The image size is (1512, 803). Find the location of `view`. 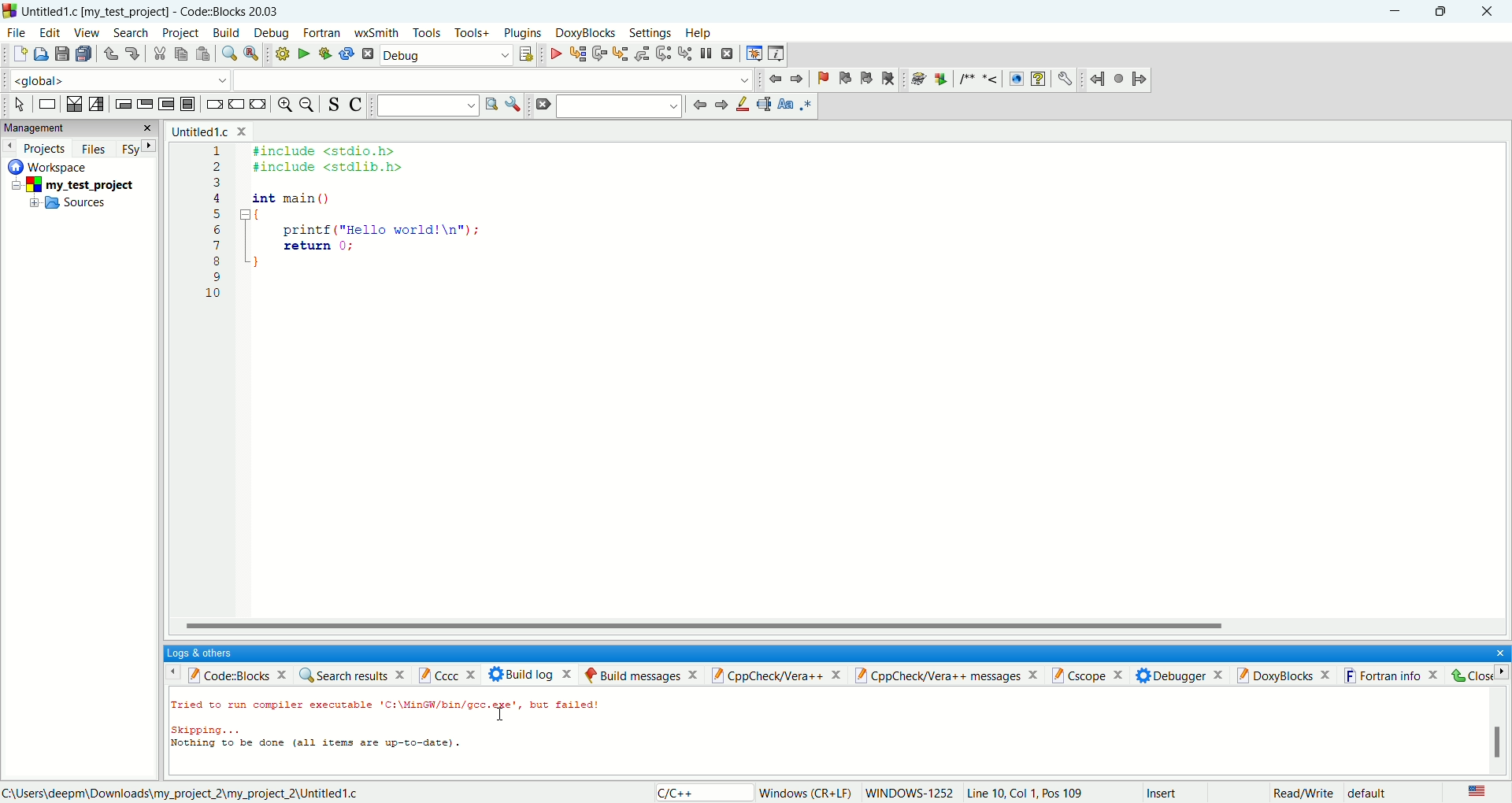

view is located at coordinates (85, 32).